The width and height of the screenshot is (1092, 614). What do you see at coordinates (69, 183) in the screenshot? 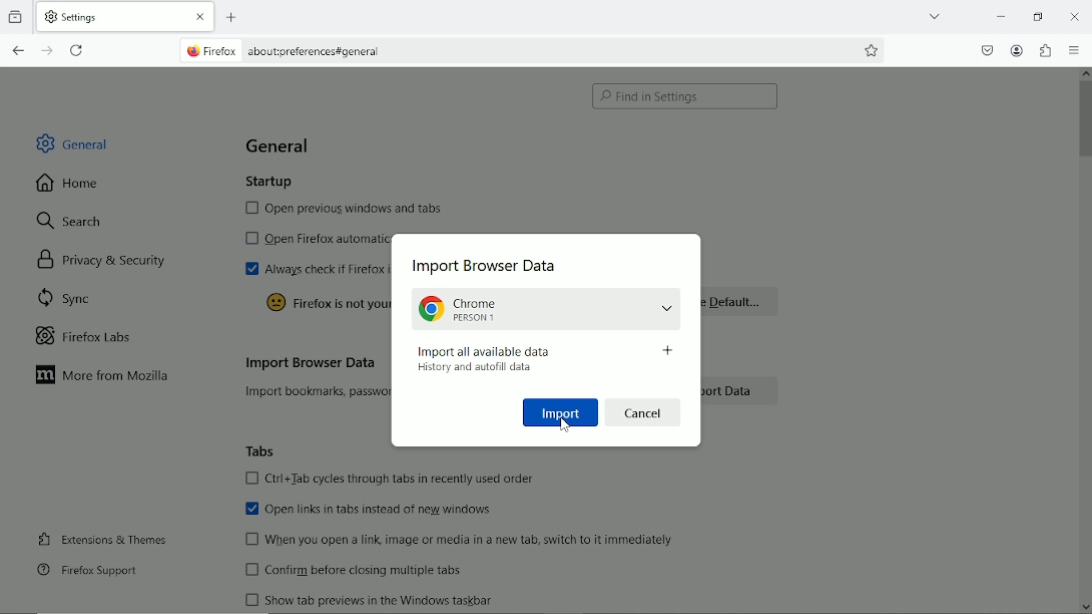
I see `Home` at bounding box center [69, 183].